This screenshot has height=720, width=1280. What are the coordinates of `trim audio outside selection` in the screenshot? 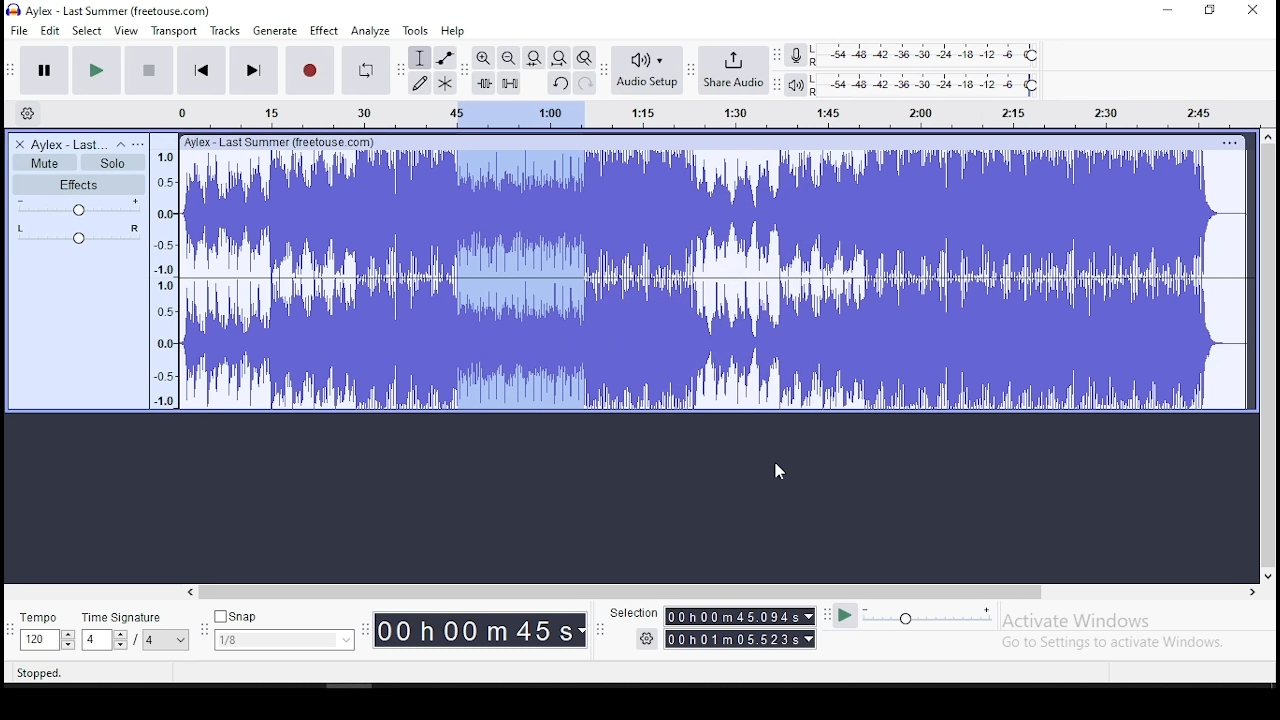 It's located at (483, 82).